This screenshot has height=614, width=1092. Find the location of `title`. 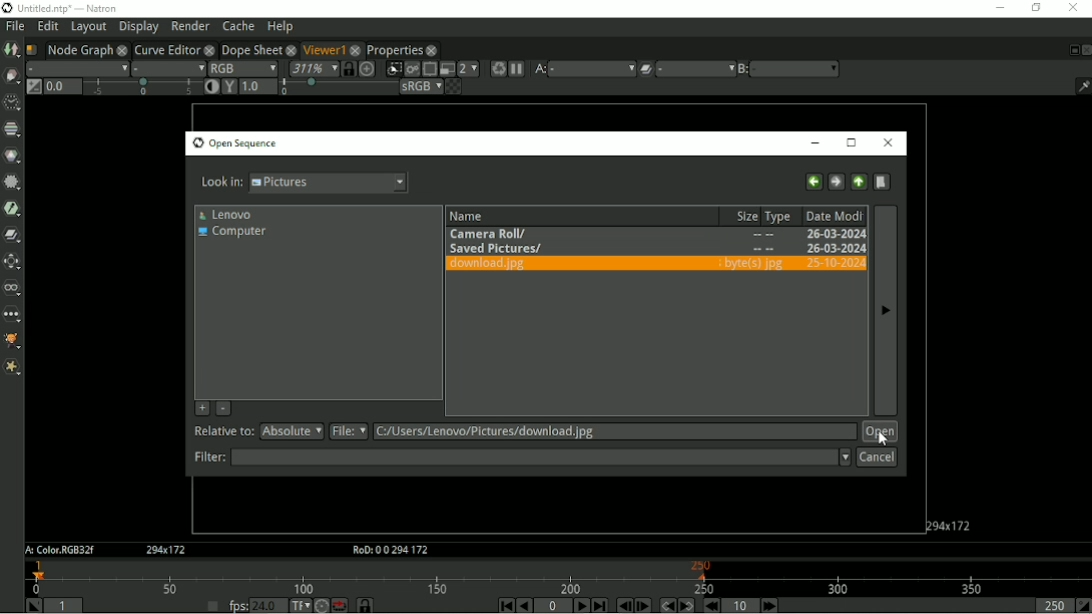

title is located at coordinates (101, 7).